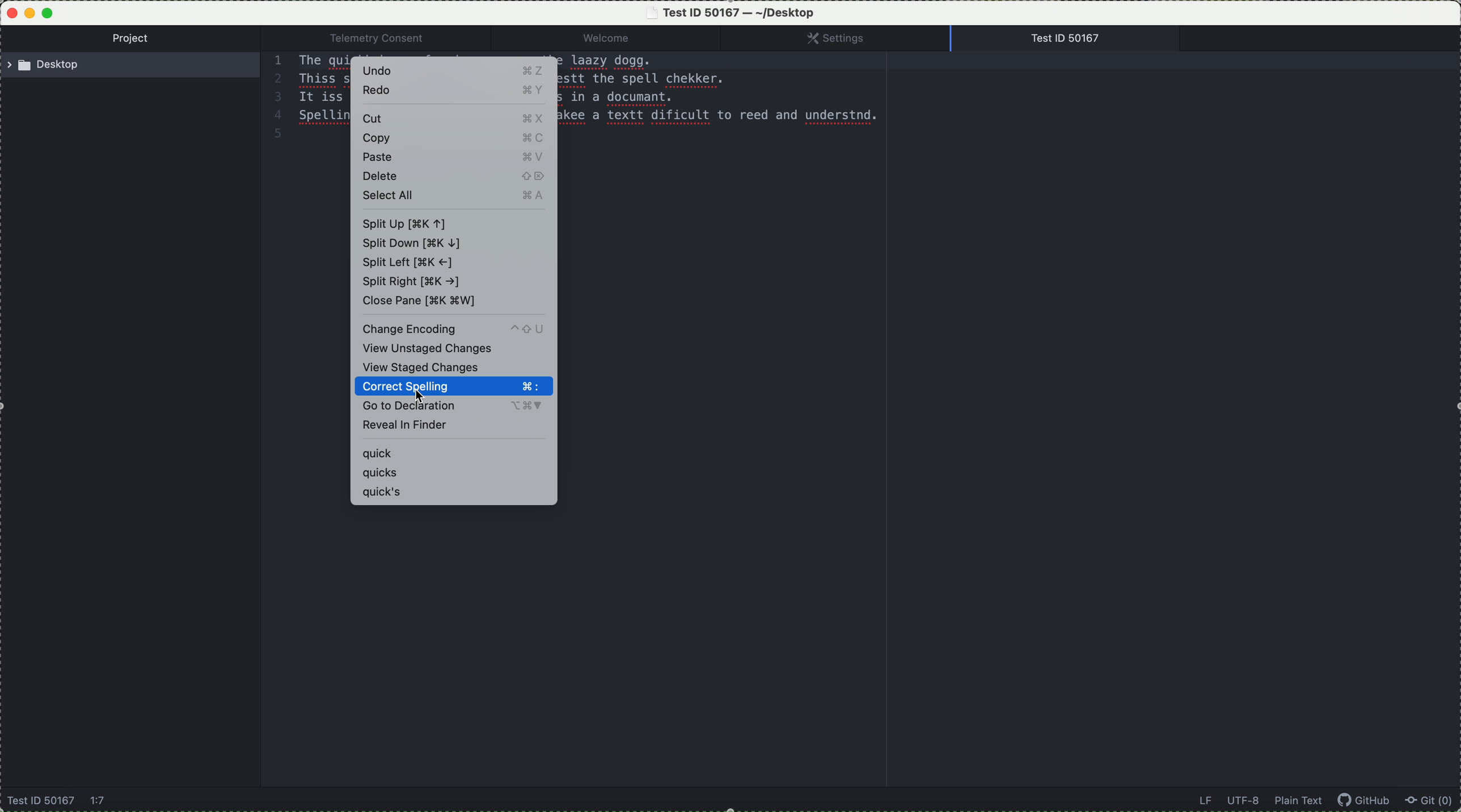  Describe the element at coordinates (50, 12) in the screenshot. I see `maximize program` at that location.